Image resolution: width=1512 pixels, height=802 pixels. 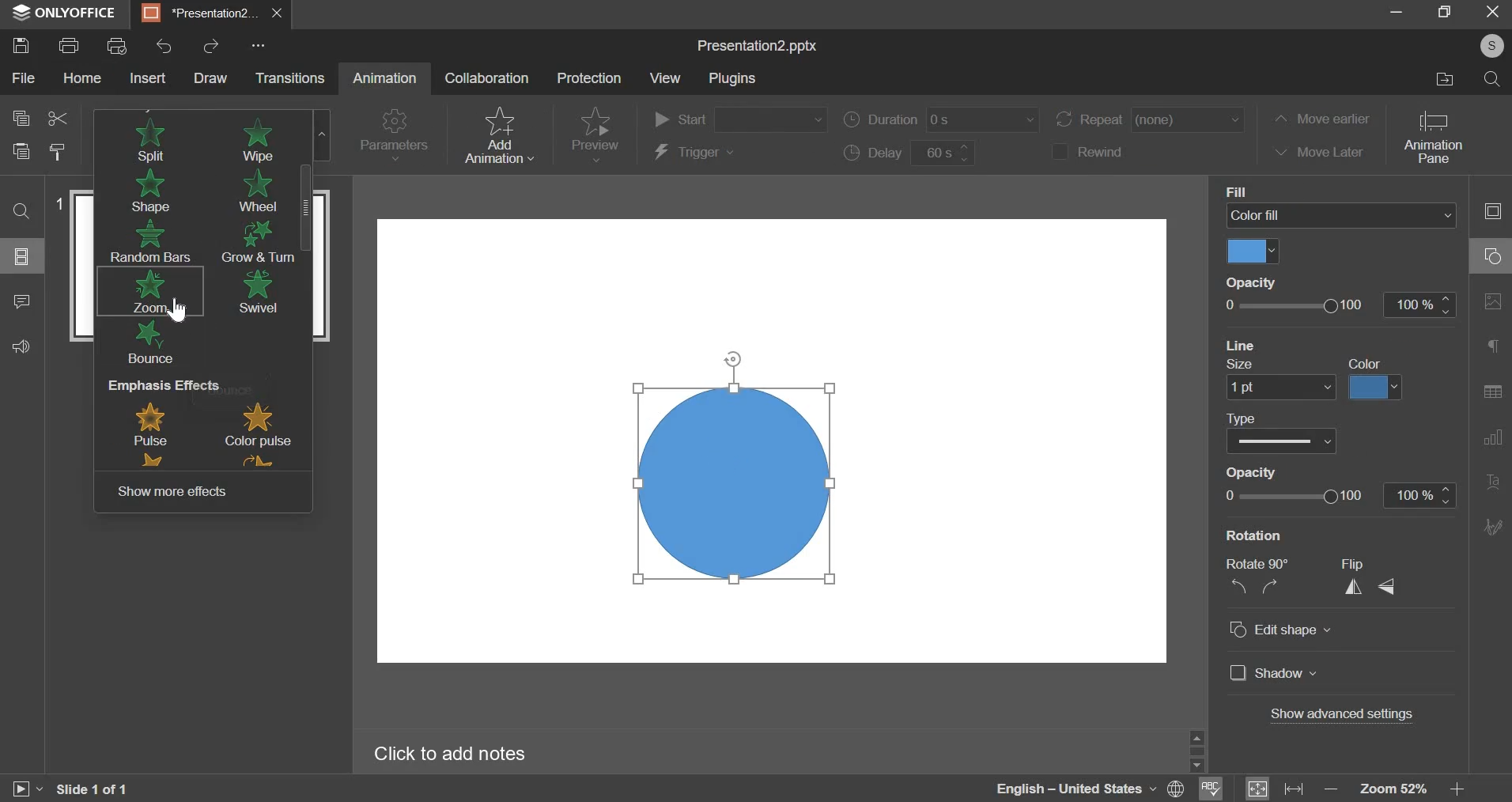 What do you see at coordinates (21, 789) in the screenshot?
I see `play` at bounding box center [21, 789].